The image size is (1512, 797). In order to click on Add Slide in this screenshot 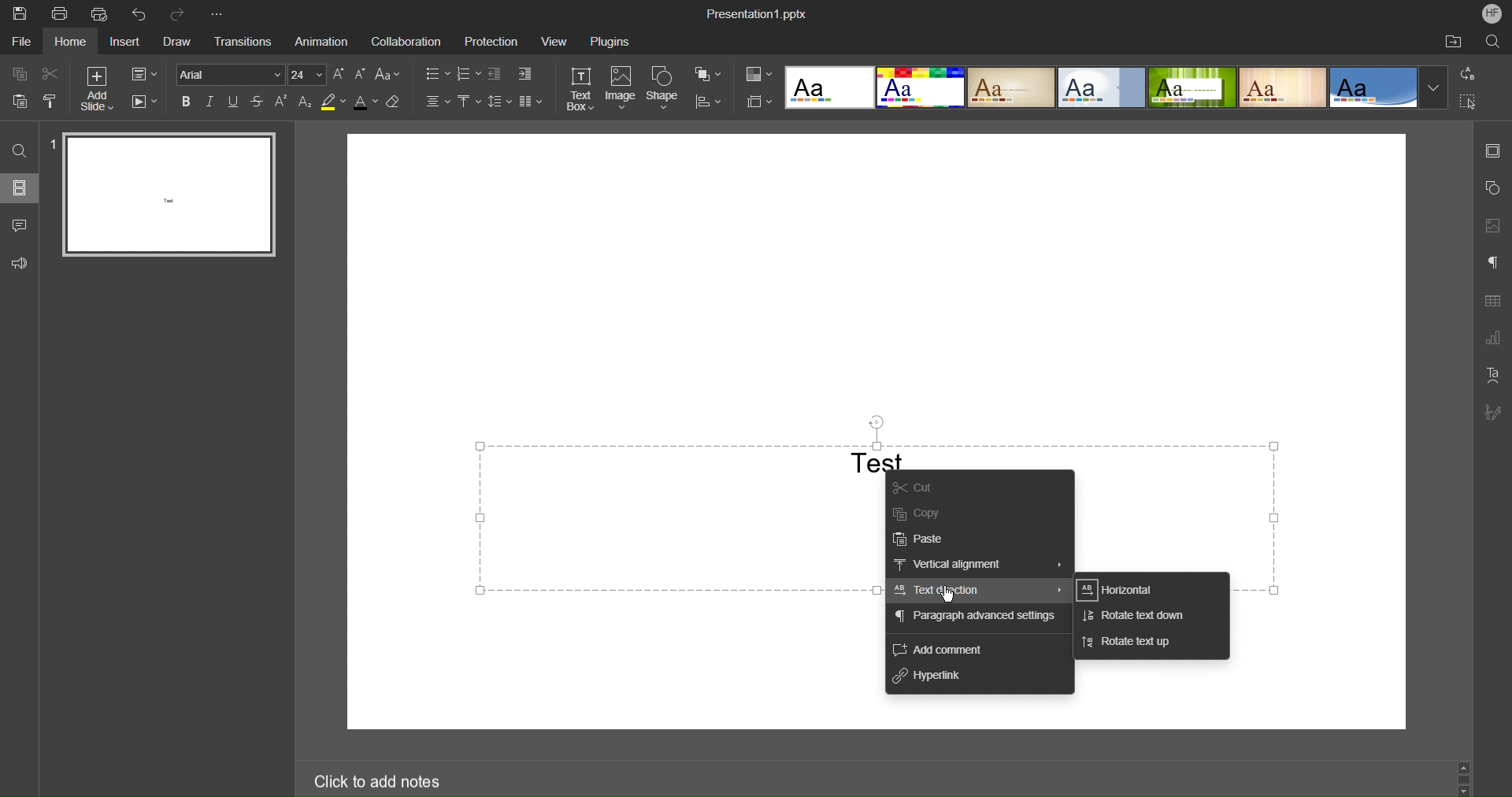, I will do `click(95, 89)`.